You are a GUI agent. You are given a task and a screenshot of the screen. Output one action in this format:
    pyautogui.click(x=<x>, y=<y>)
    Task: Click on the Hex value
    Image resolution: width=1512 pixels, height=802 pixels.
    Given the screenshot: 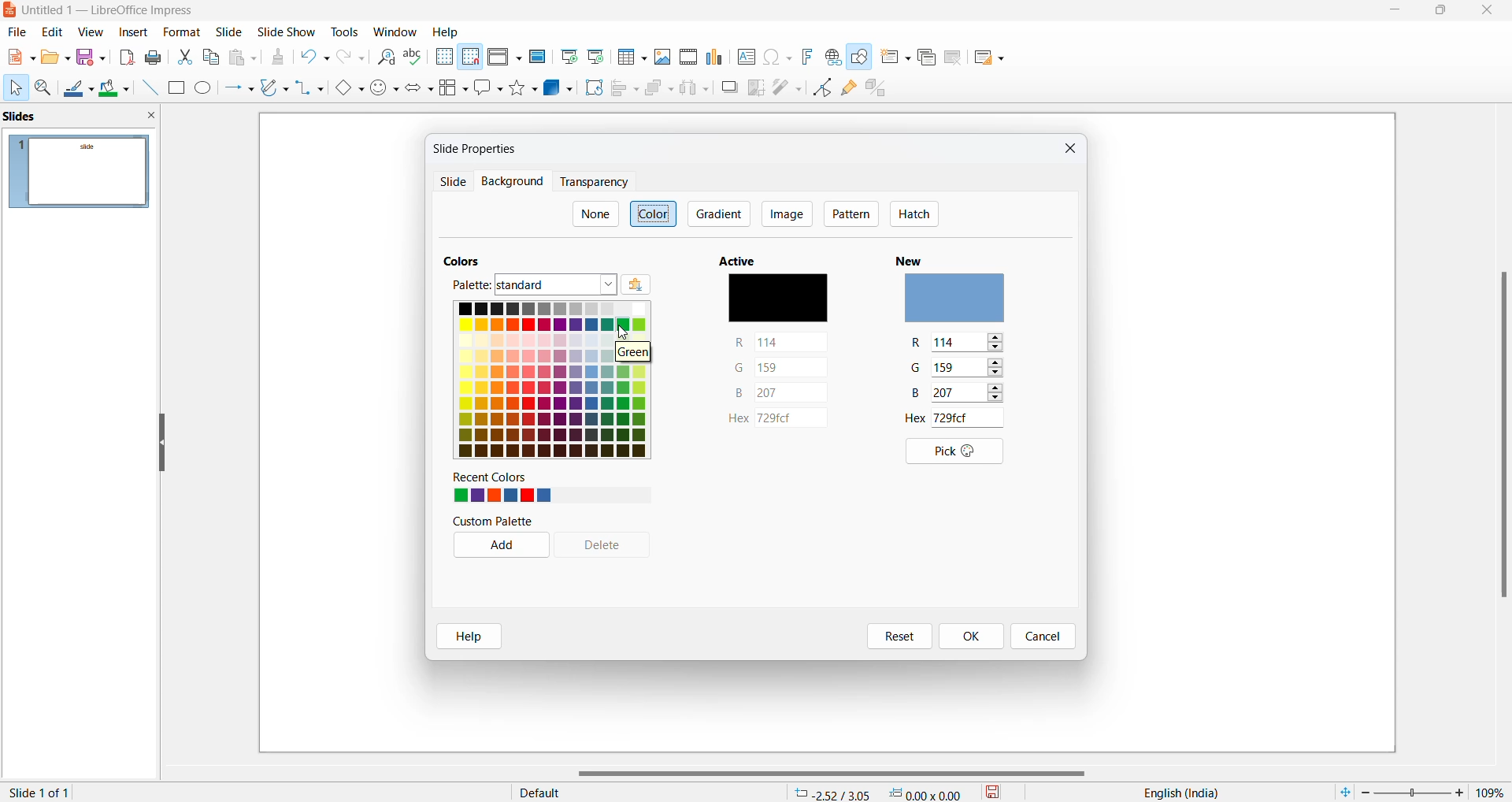 What is the action you would take?
    pyautogui.click(x=963, y=418)
    